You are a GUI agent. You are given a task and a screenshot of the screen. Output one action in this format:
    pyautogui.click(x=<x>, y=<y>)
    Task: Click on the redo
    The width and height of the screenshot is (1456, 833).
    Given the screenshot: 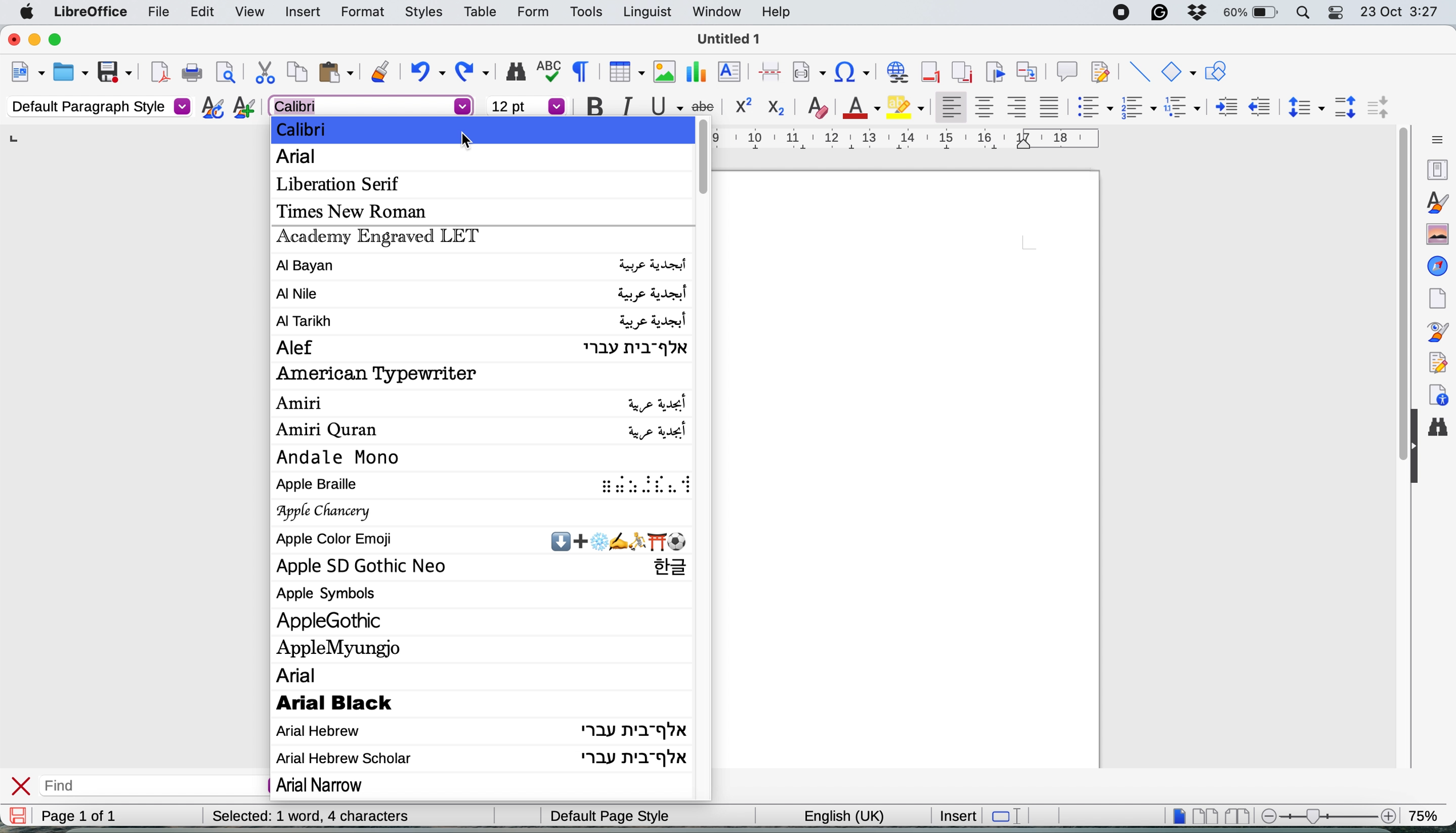 What is the action you would take?
    pyautogui.click(x=476, y=72)
    